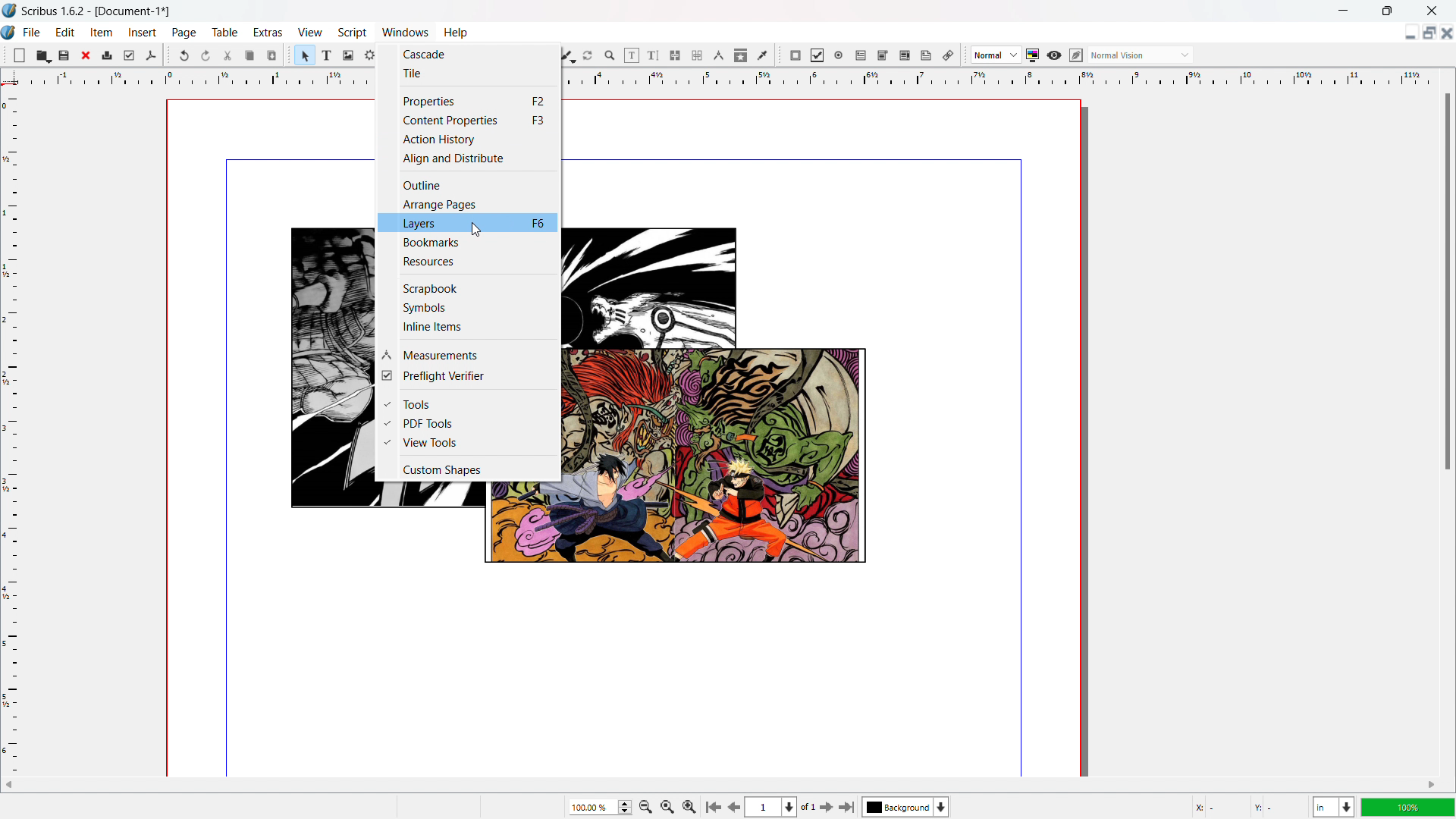  I want to click on properties, so click(469, 100).